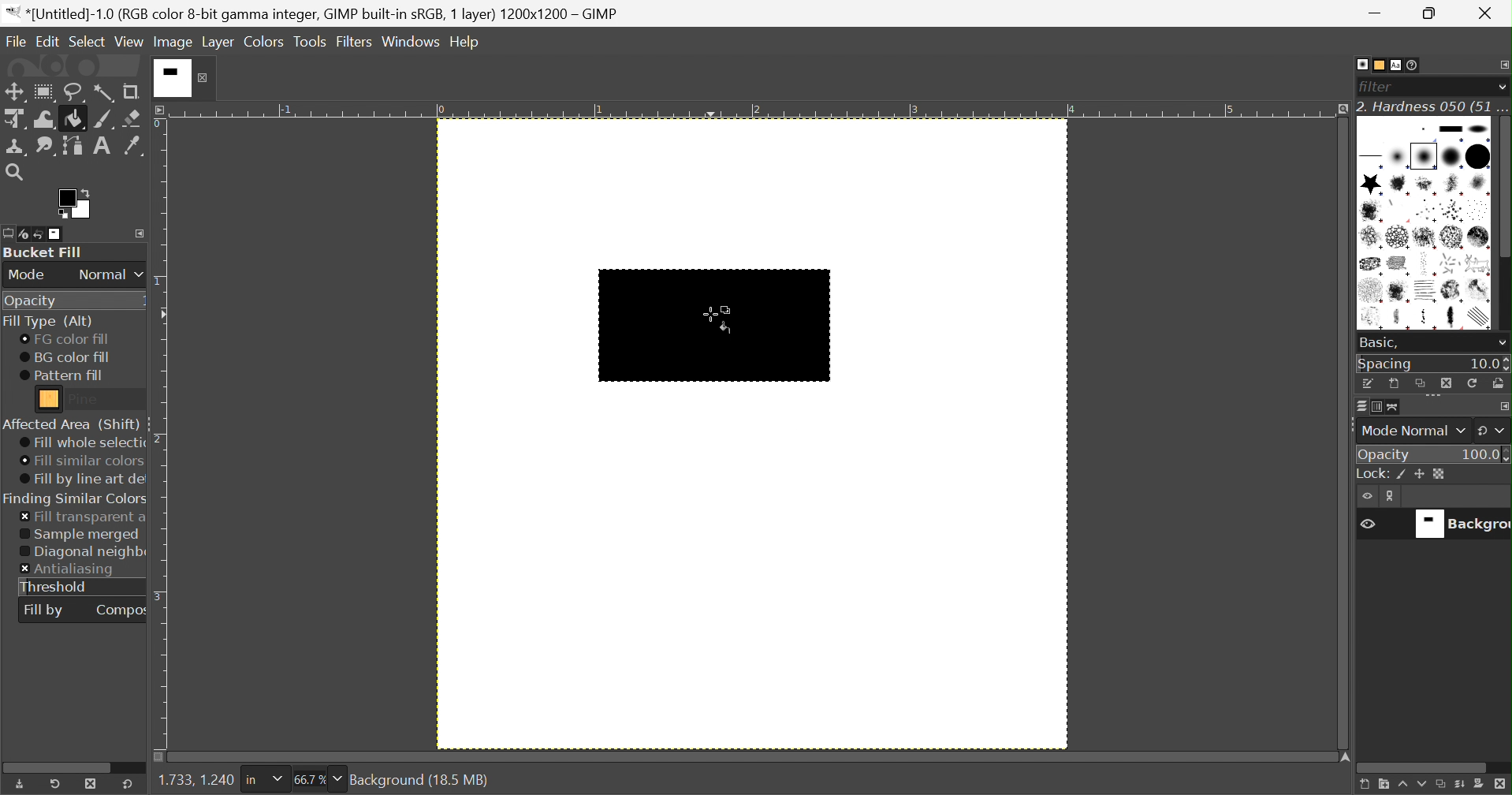  I want to click on Options, so click(1501, 345).